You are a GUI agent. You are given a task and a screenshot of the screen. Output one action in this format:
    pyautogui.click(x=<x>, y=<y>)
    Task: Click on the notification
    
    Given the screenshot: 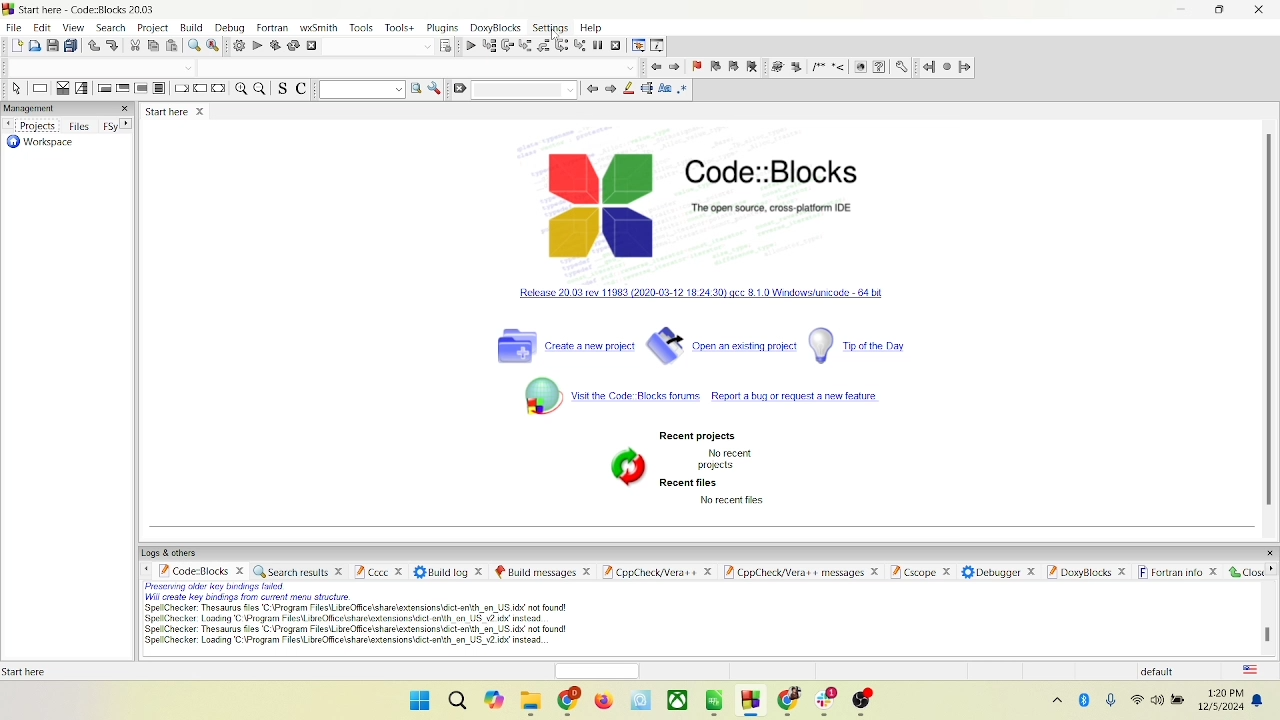 What is the action you would take?
    pyautogui.click(x=1262, y=699)
    